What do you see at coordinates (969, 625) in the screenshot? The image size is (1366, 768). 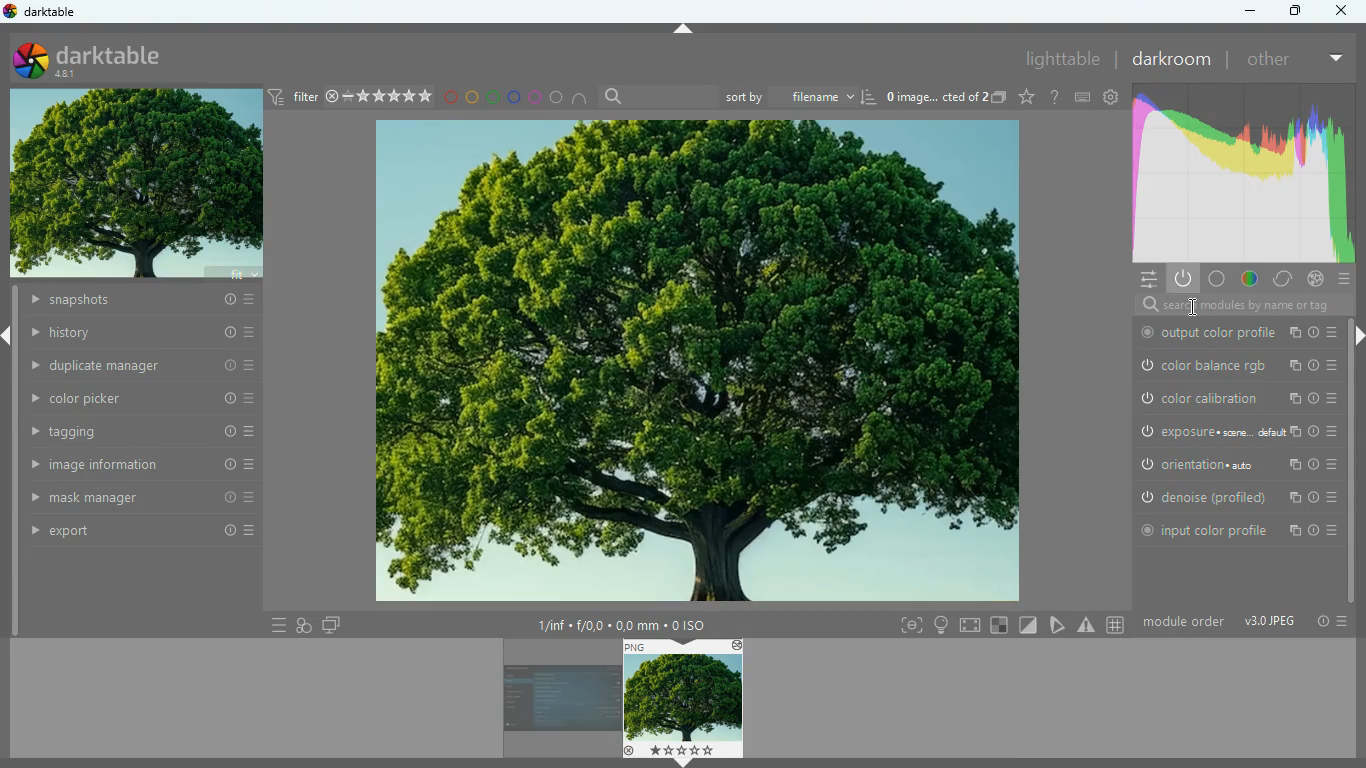 I see `screen` at bounding box center [969, 625].